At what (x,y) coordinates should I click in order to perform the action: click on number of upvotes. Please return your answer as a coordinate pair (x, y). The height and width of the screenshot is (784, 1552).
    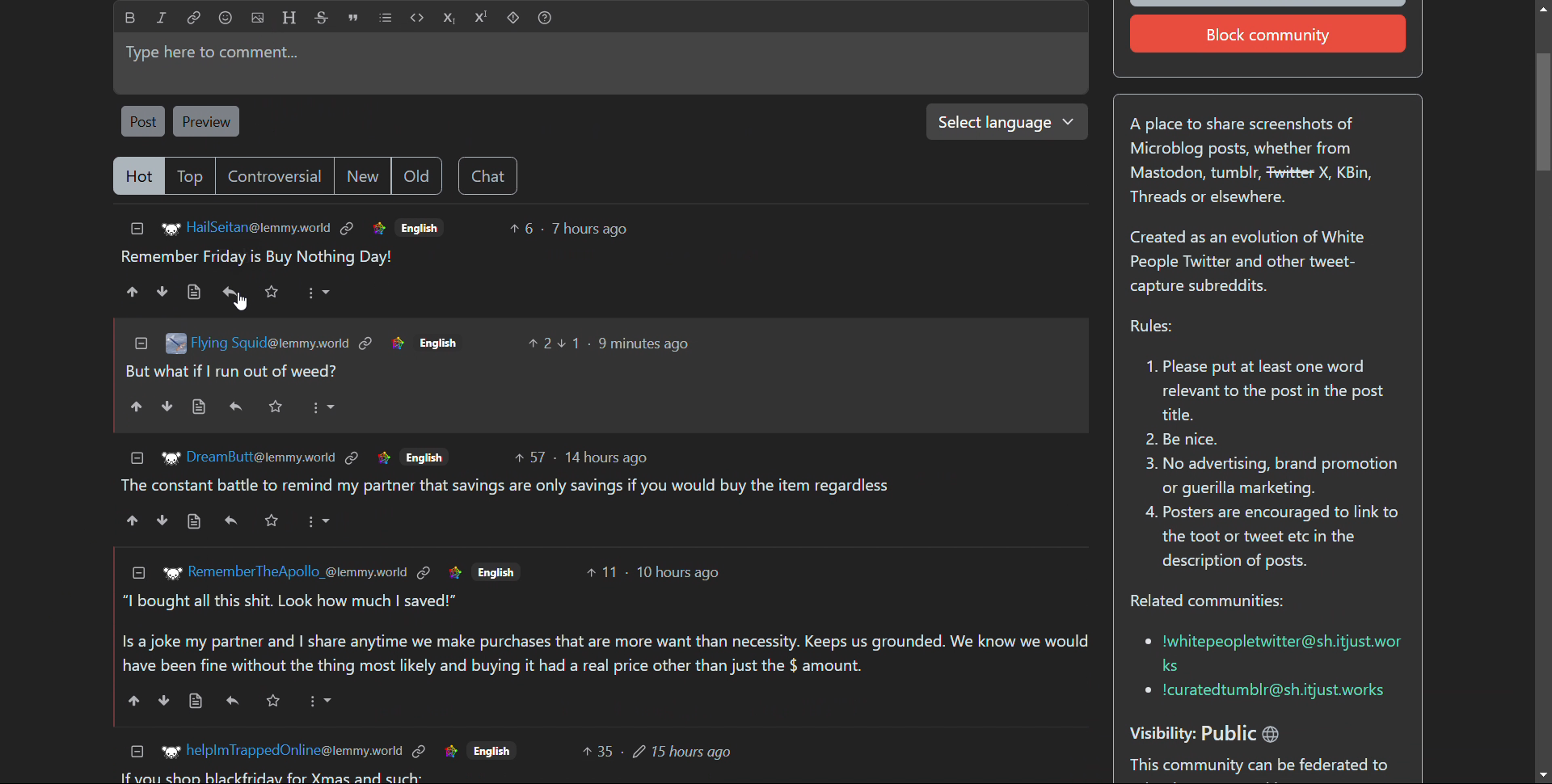
    Looking at the image, I should click on (598, 751).